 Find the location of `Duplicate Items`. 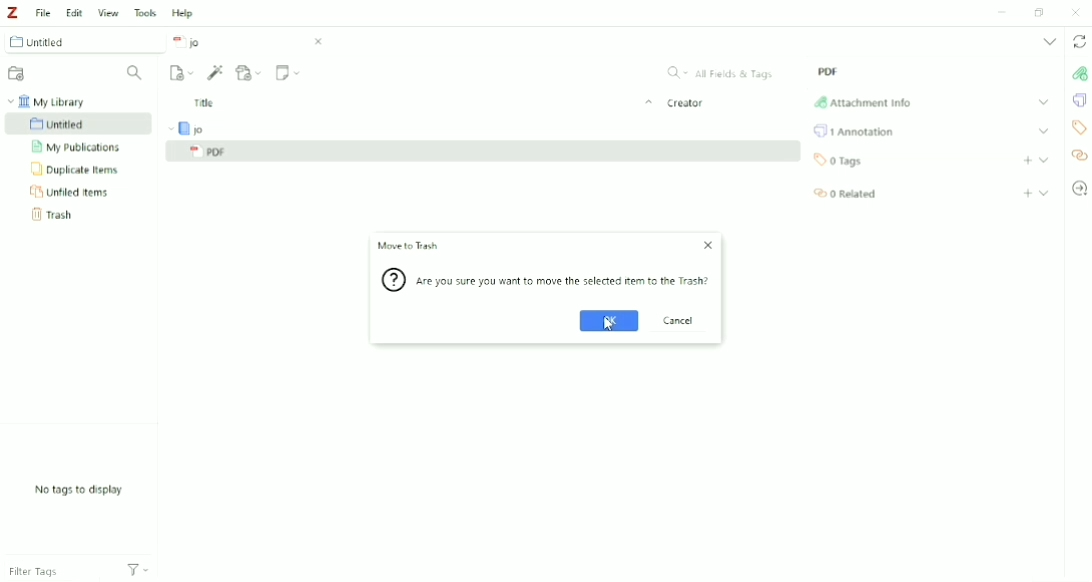

Duplicate Items is located at coordinates (76, 169).